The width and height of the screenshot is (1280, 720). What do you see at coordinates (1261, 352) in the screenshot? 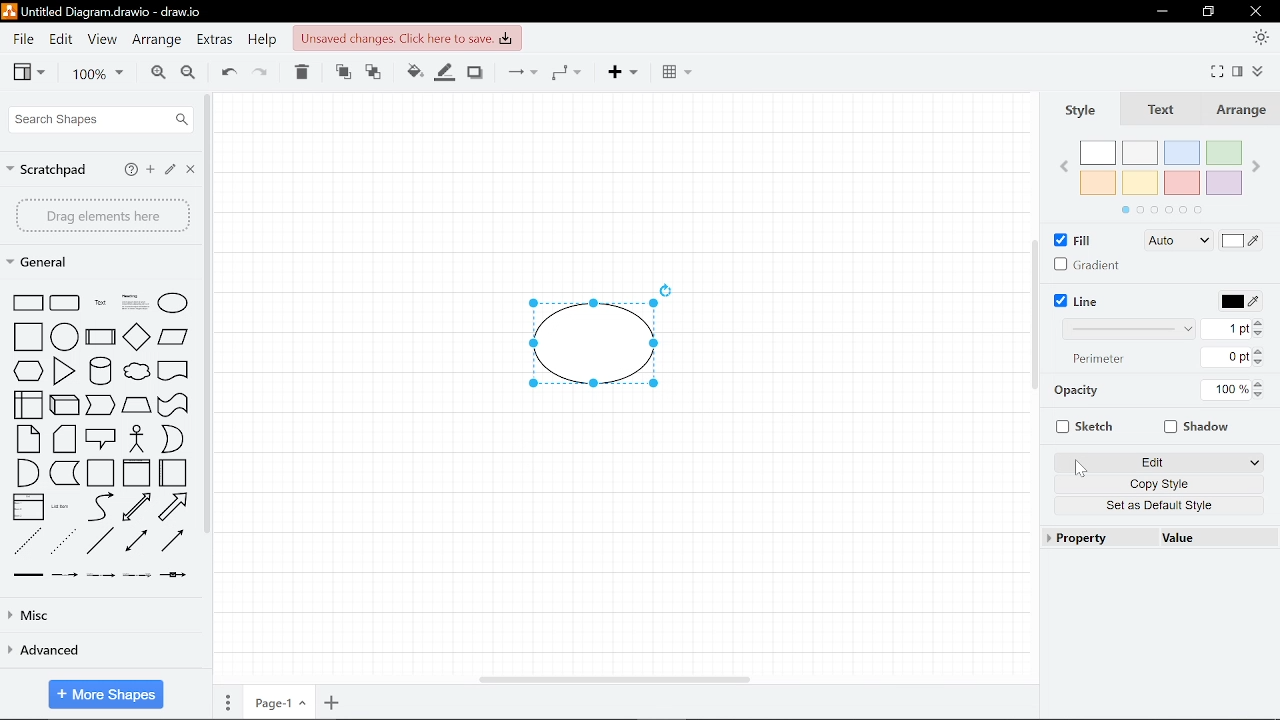
I see `Increase perimeter` at bounding box center [1261, 352].